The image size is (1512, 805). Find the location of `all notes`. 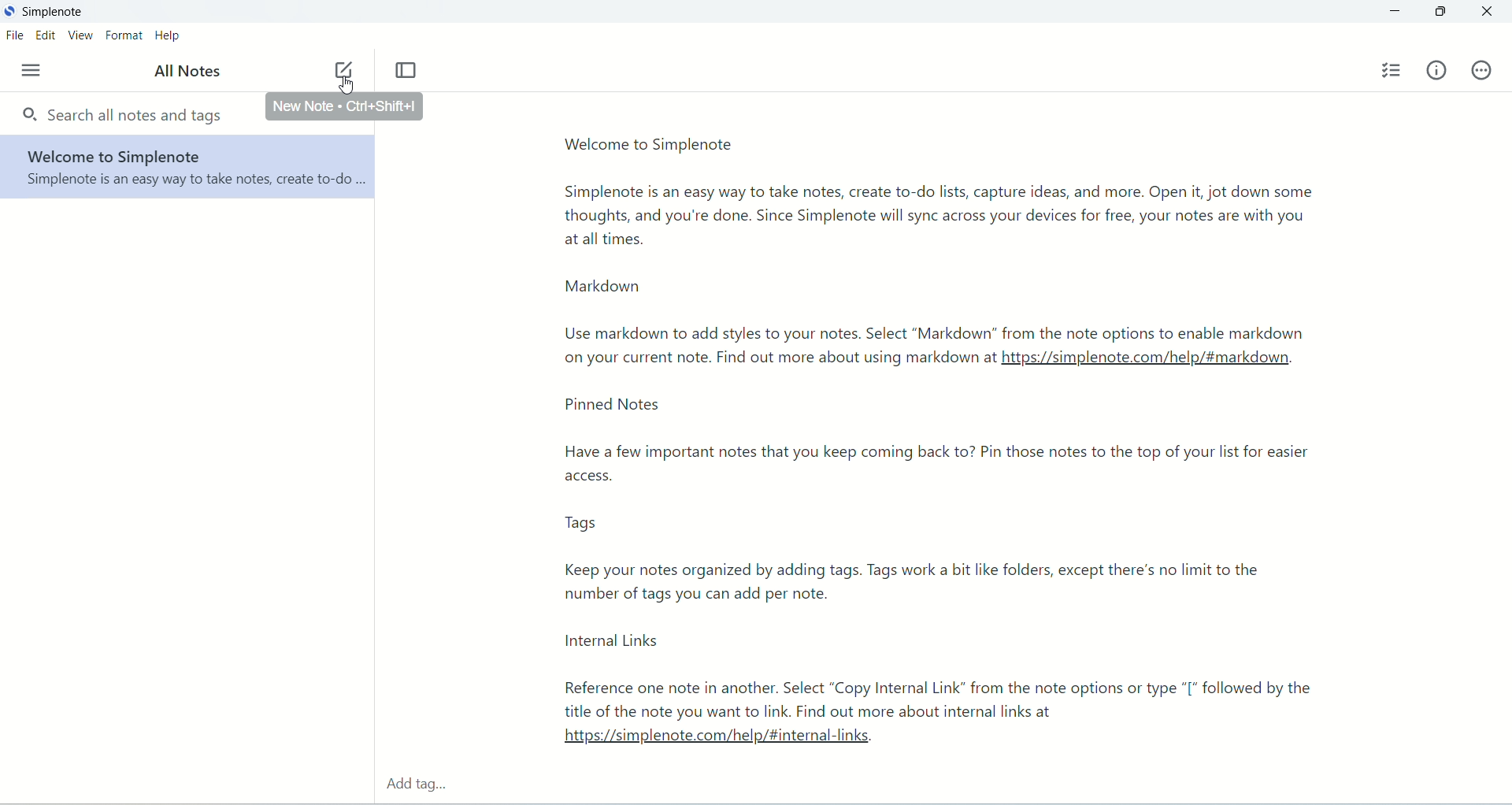

all notes is located at coordinates (191, 72).